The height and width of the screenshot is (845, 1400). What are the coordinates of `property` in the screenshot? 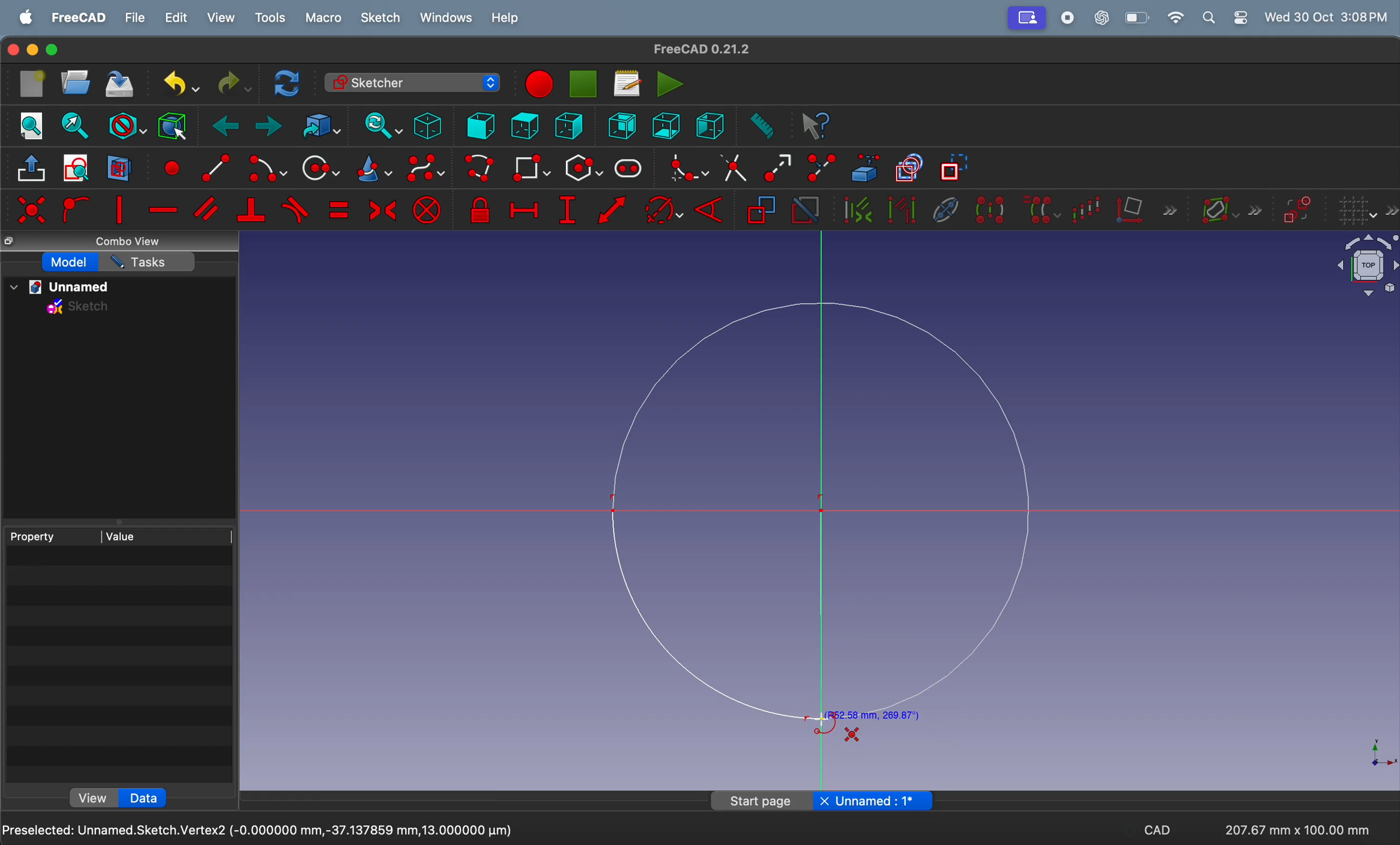 It's located at (52, 536).